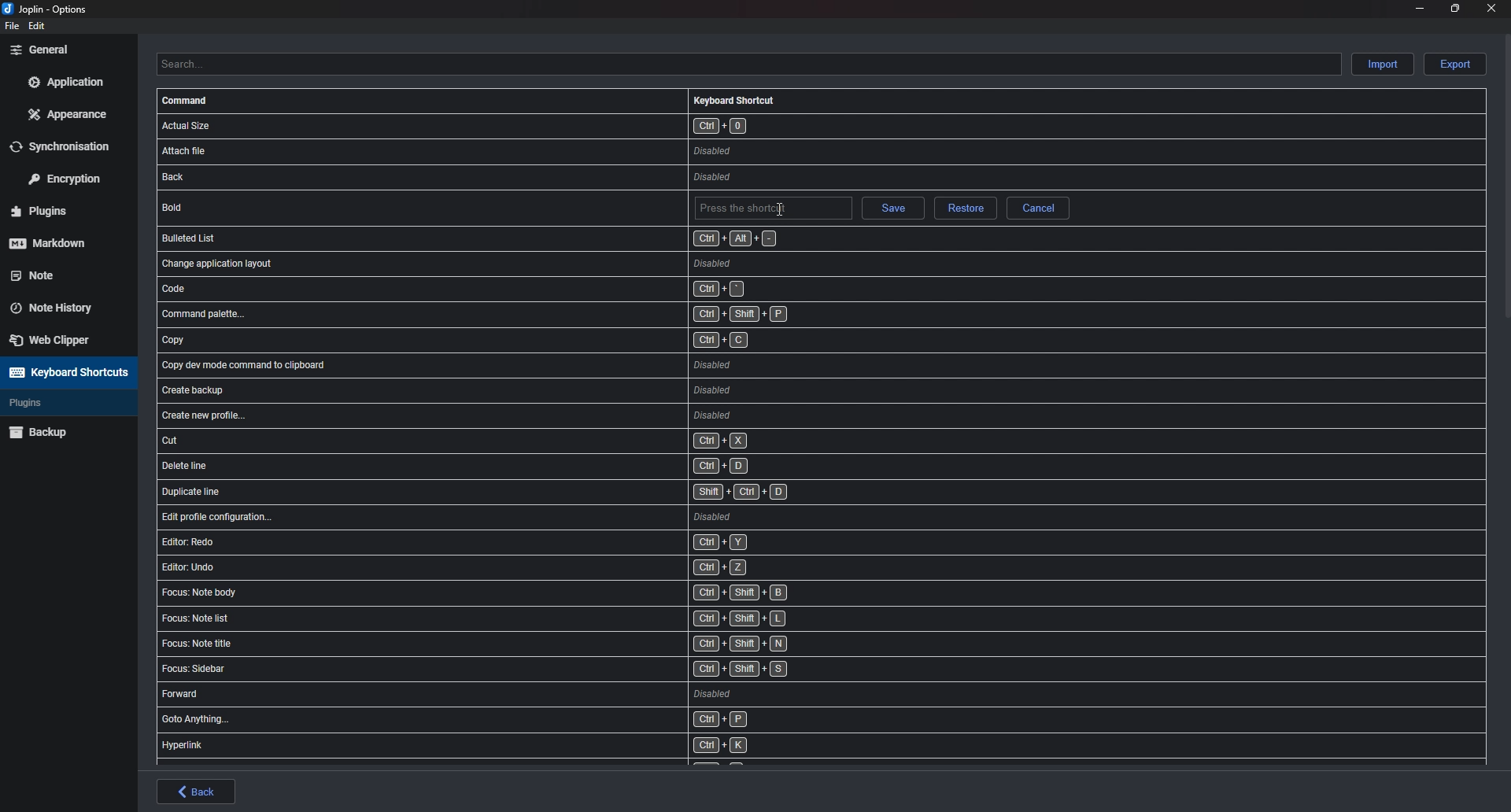 The image size is (1511, 812). I want to click on shortcut, so click(515, 646).